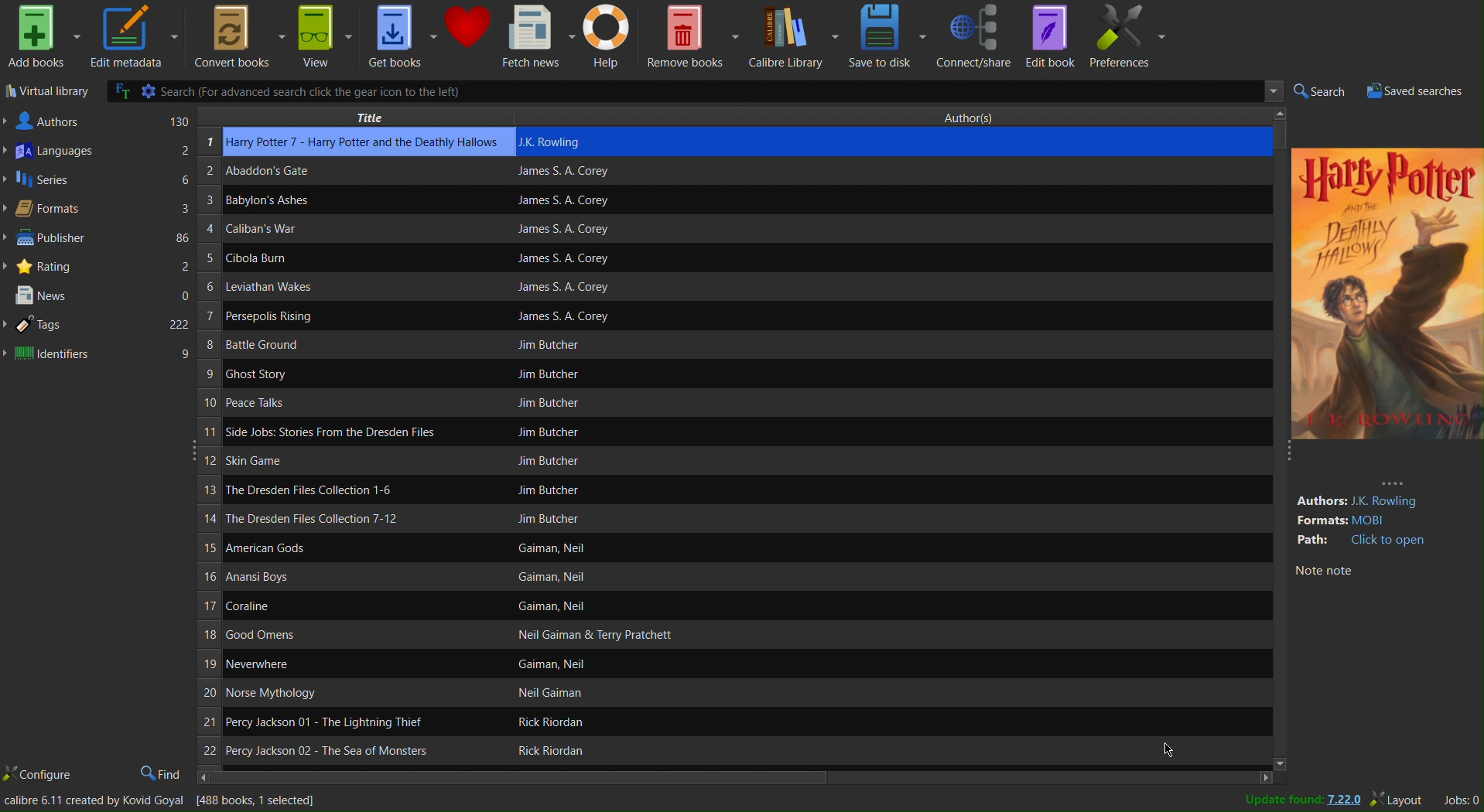 This screenshot has width=1484, height=812. I want to click on Book name, so click(340, 462).